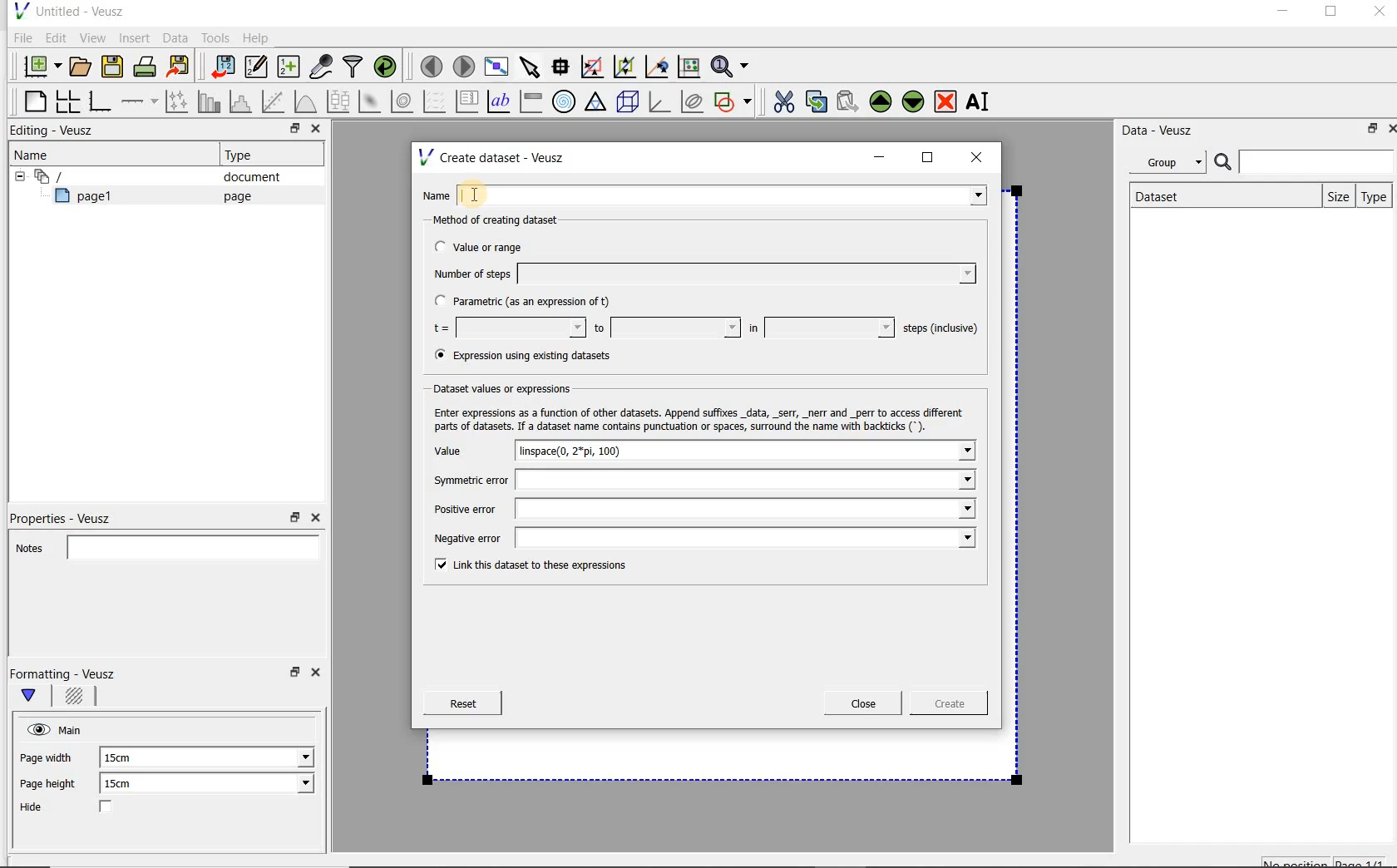 The height and width of the screenshot is (868, 1397). I want to click on document, so click(245, 177).